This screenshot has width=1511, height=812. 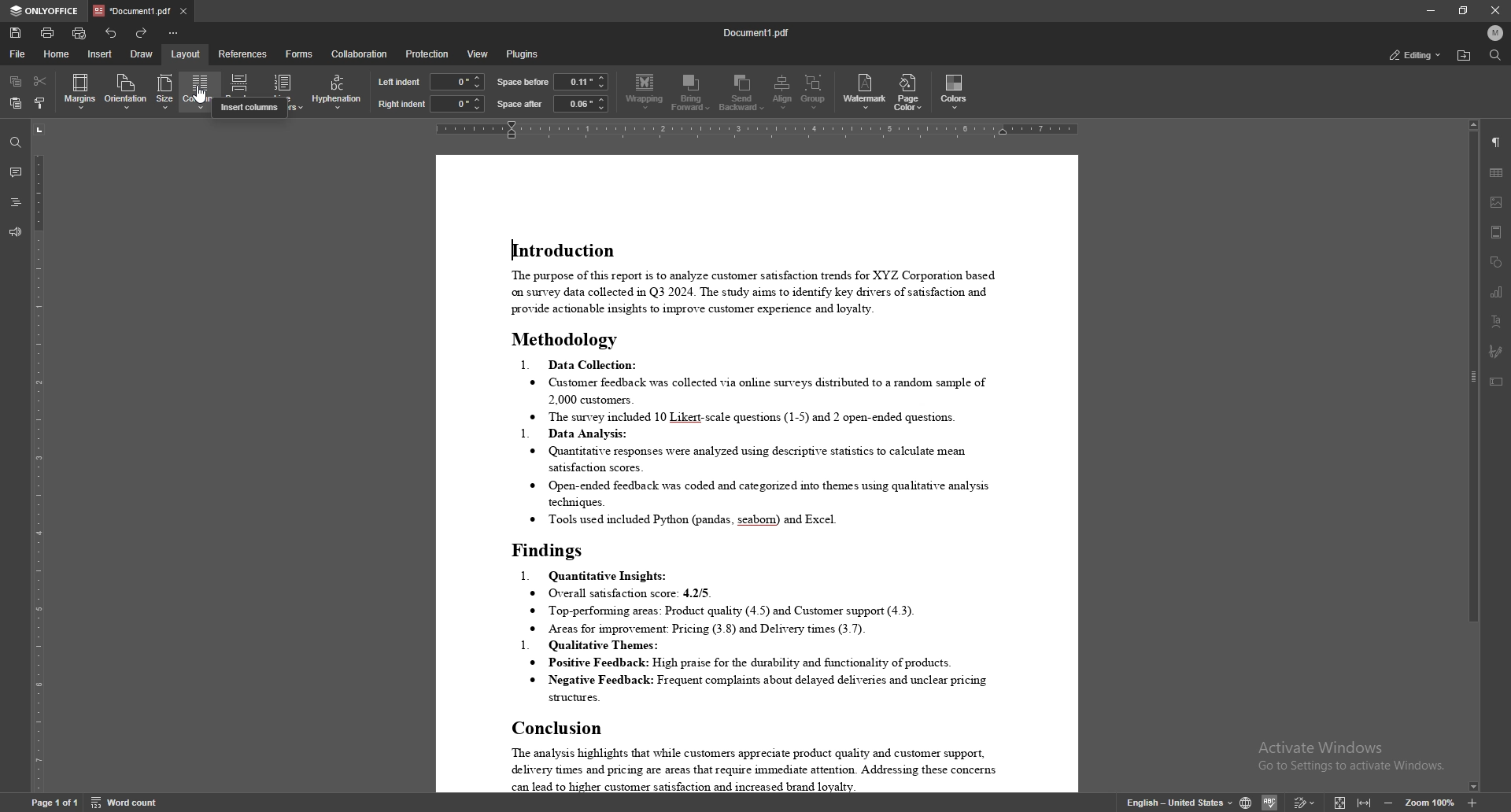 I want to click on home, so click(x=57, y=54).